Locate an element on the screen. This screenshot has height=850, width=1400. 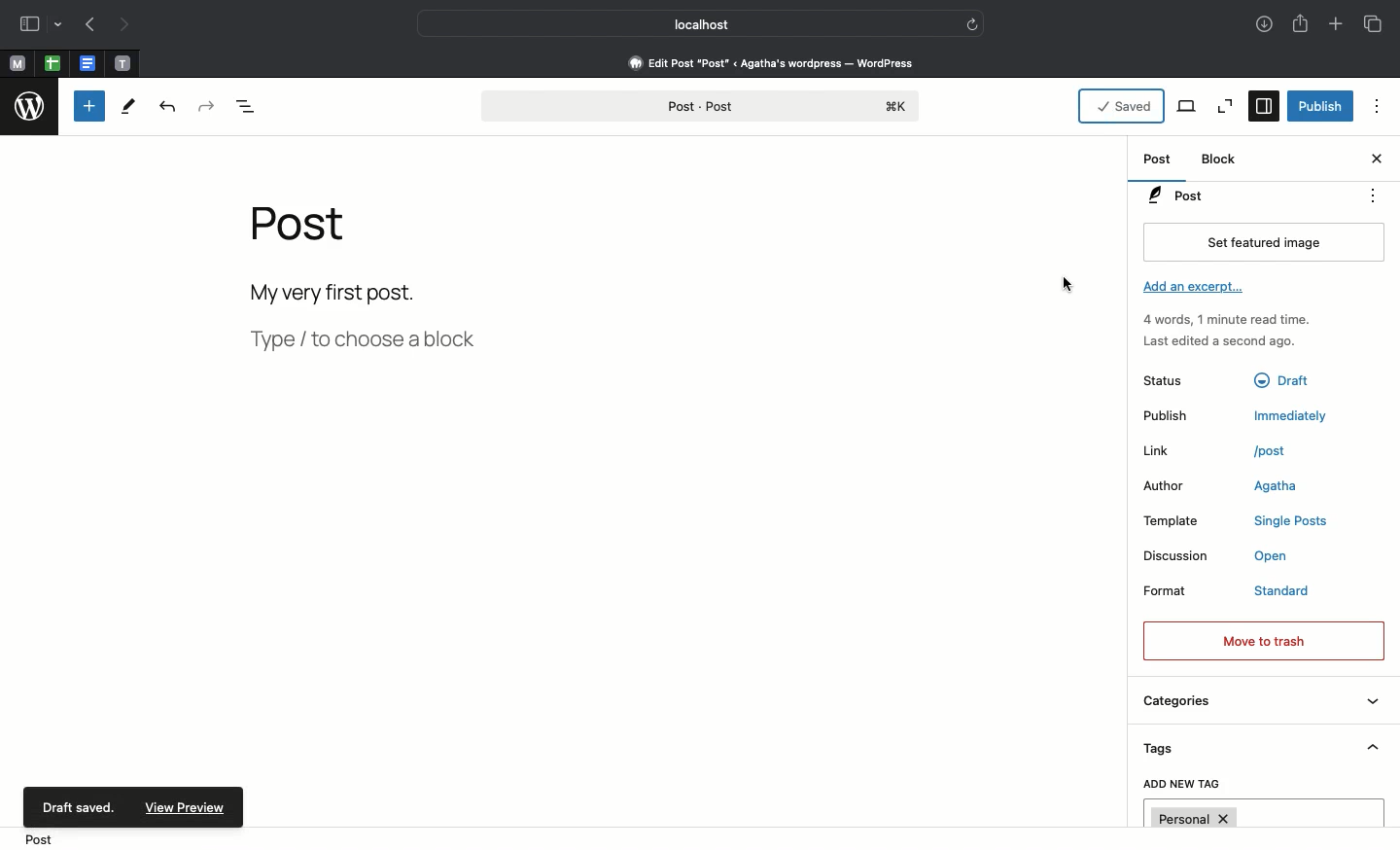
Saved draft is located at coordinates (1124, 104).